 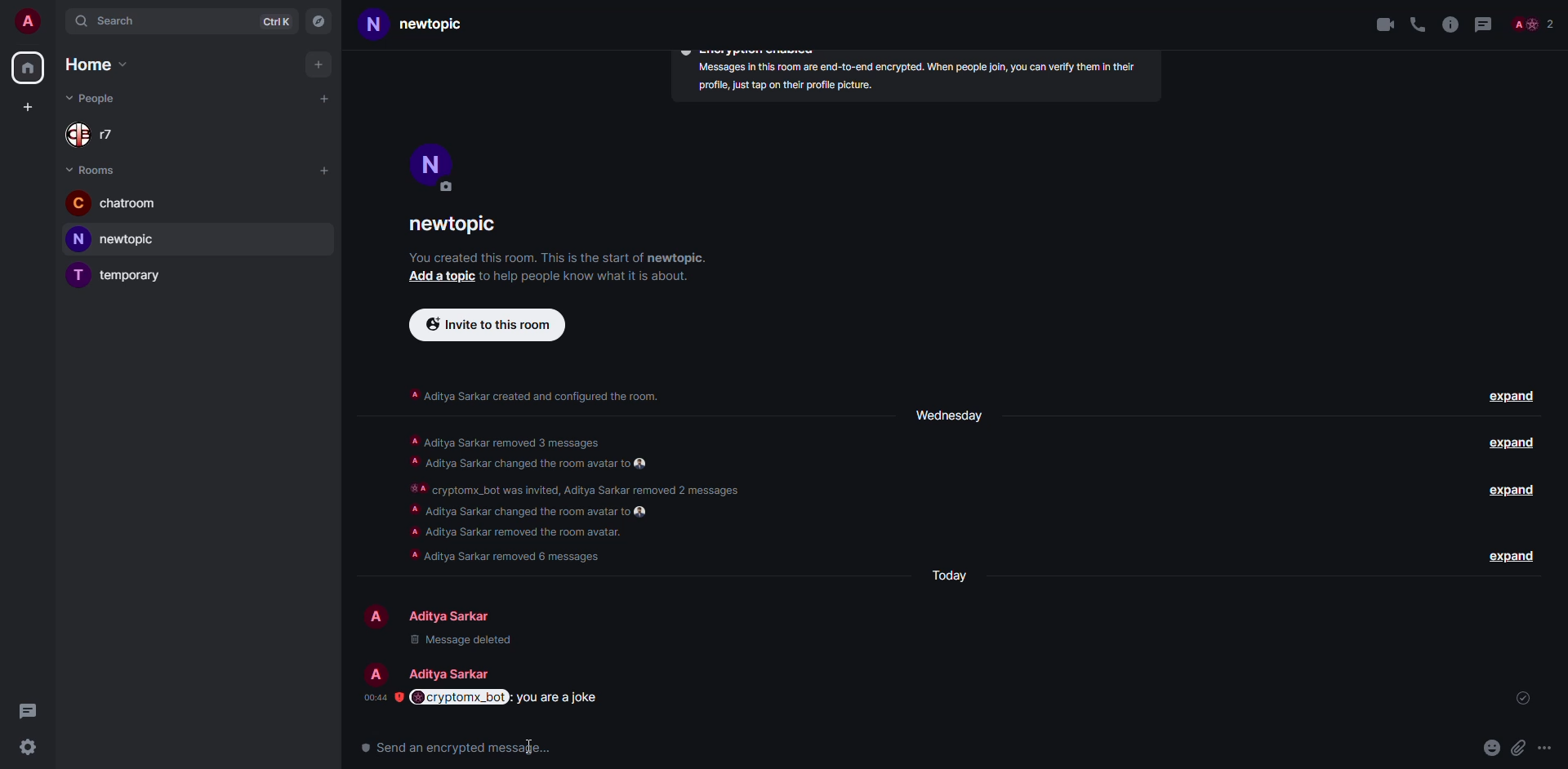 What do you see at coordinates (324, 169) in the screenshot?
I see `add` at bounding box center [324, 169].